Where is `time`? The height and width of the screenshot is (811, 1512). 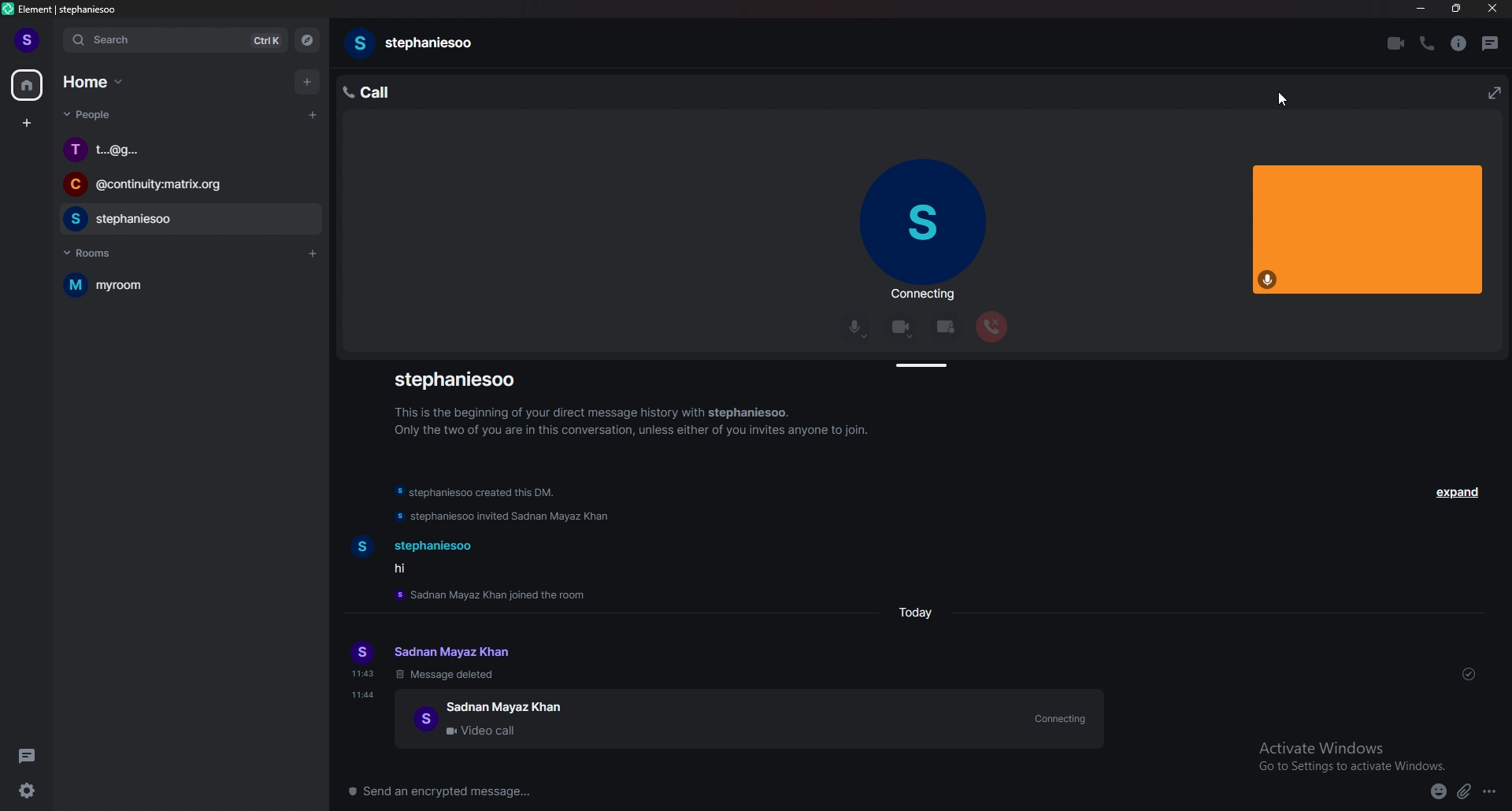
time is located at coordinates (365, 694).